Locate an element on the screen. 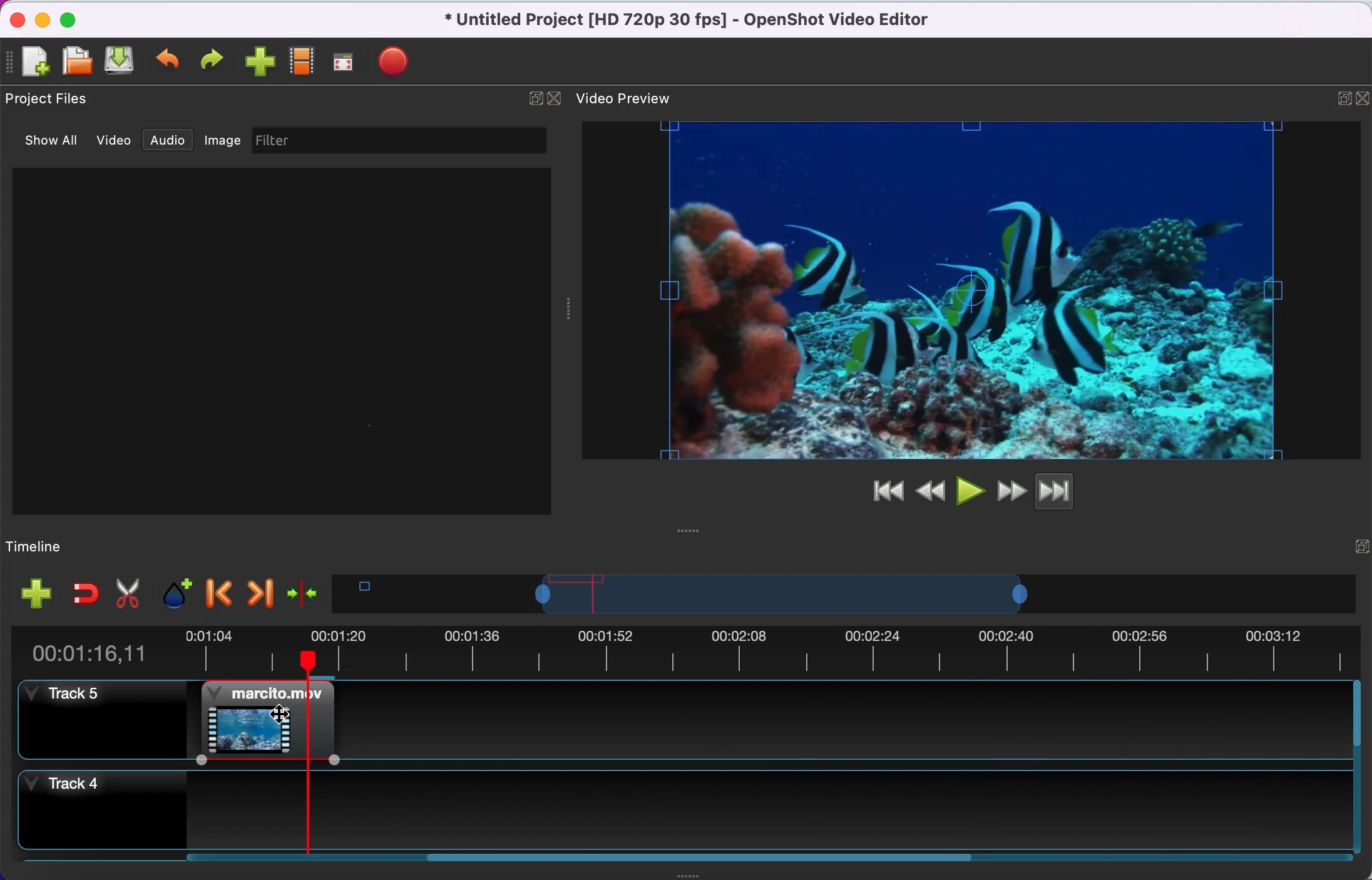 This screenshot has width=1372, height=880. title - Untitled Project (HD 720p 30 fps)-OpenShot Video Editor is located at coordinates (707, 22).